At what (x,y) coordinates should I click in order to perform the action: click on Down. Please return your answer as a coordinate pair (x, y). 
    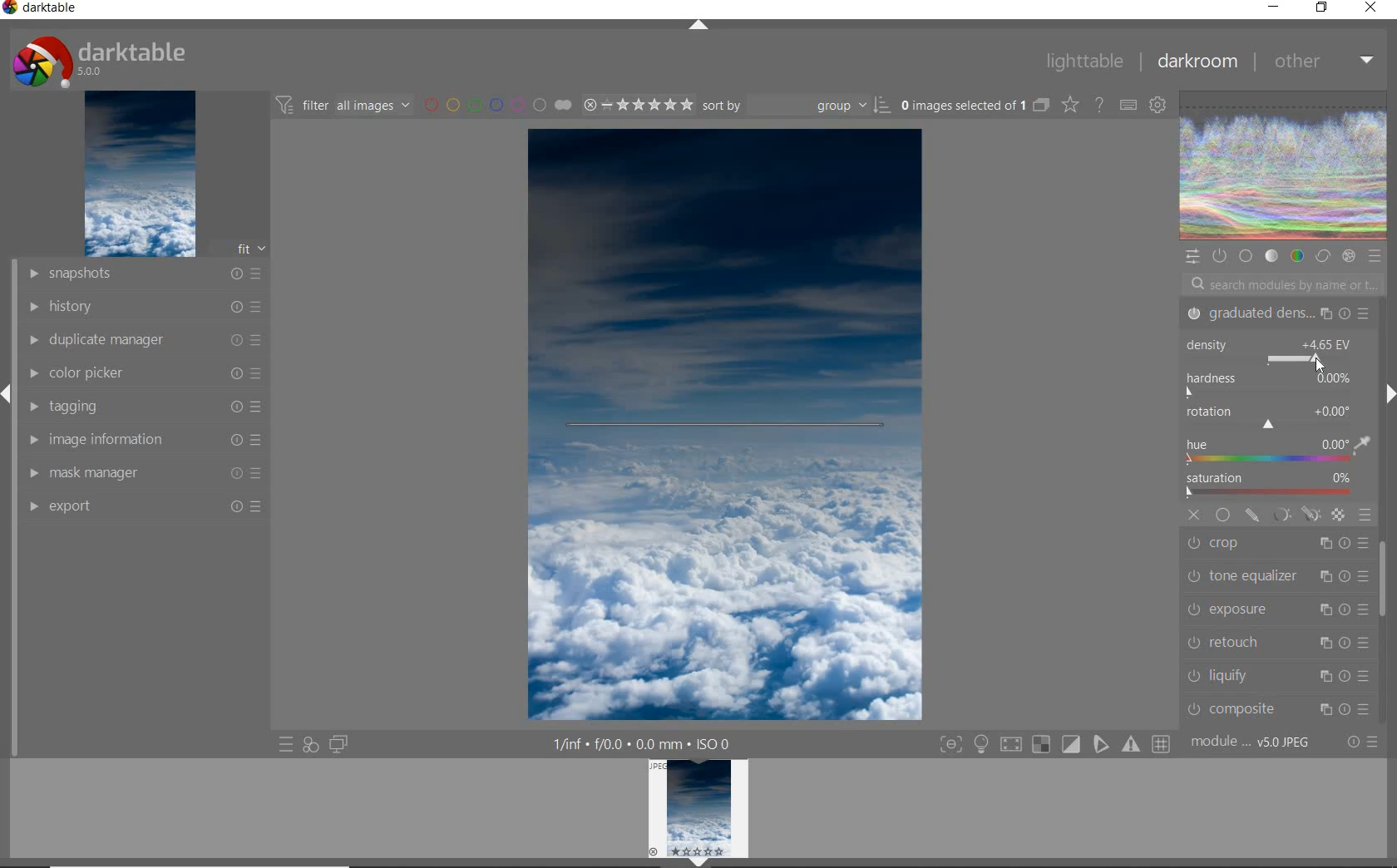
    Looking at the image, I should click on (699, 862).